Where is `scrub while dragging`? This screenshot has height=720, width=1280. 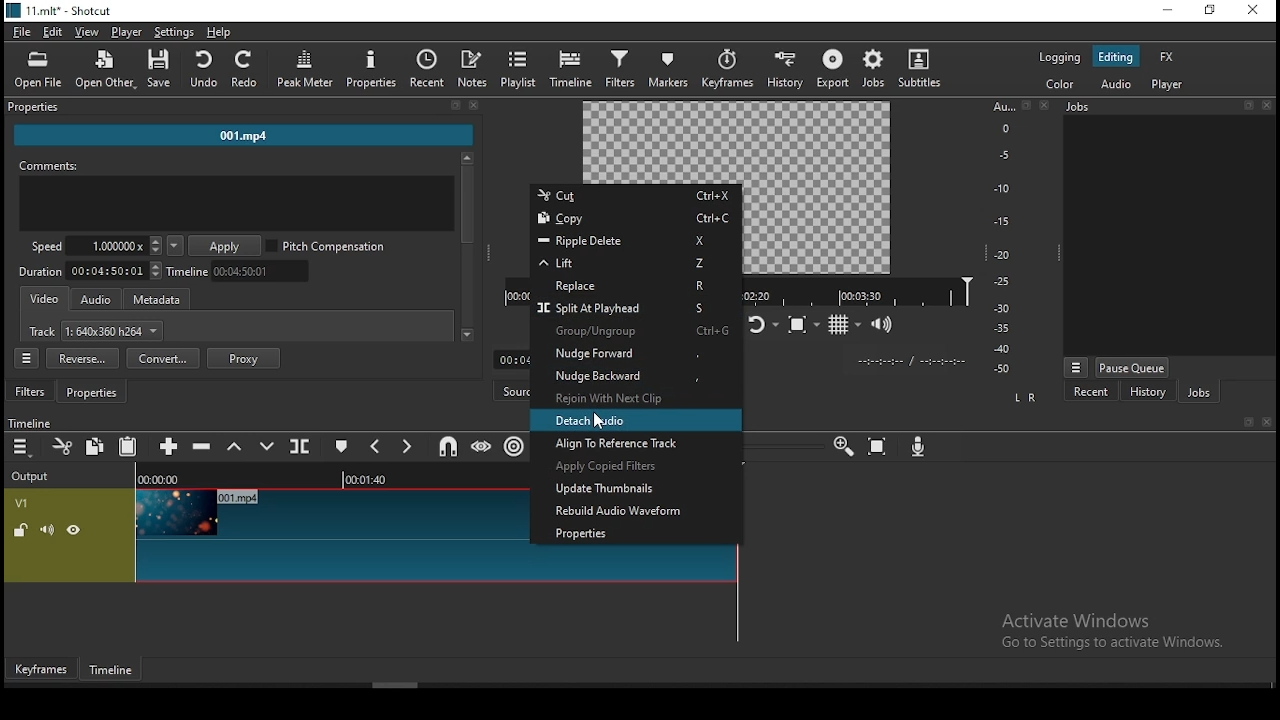 scrub while dragging is located at coordinates (480, 447).